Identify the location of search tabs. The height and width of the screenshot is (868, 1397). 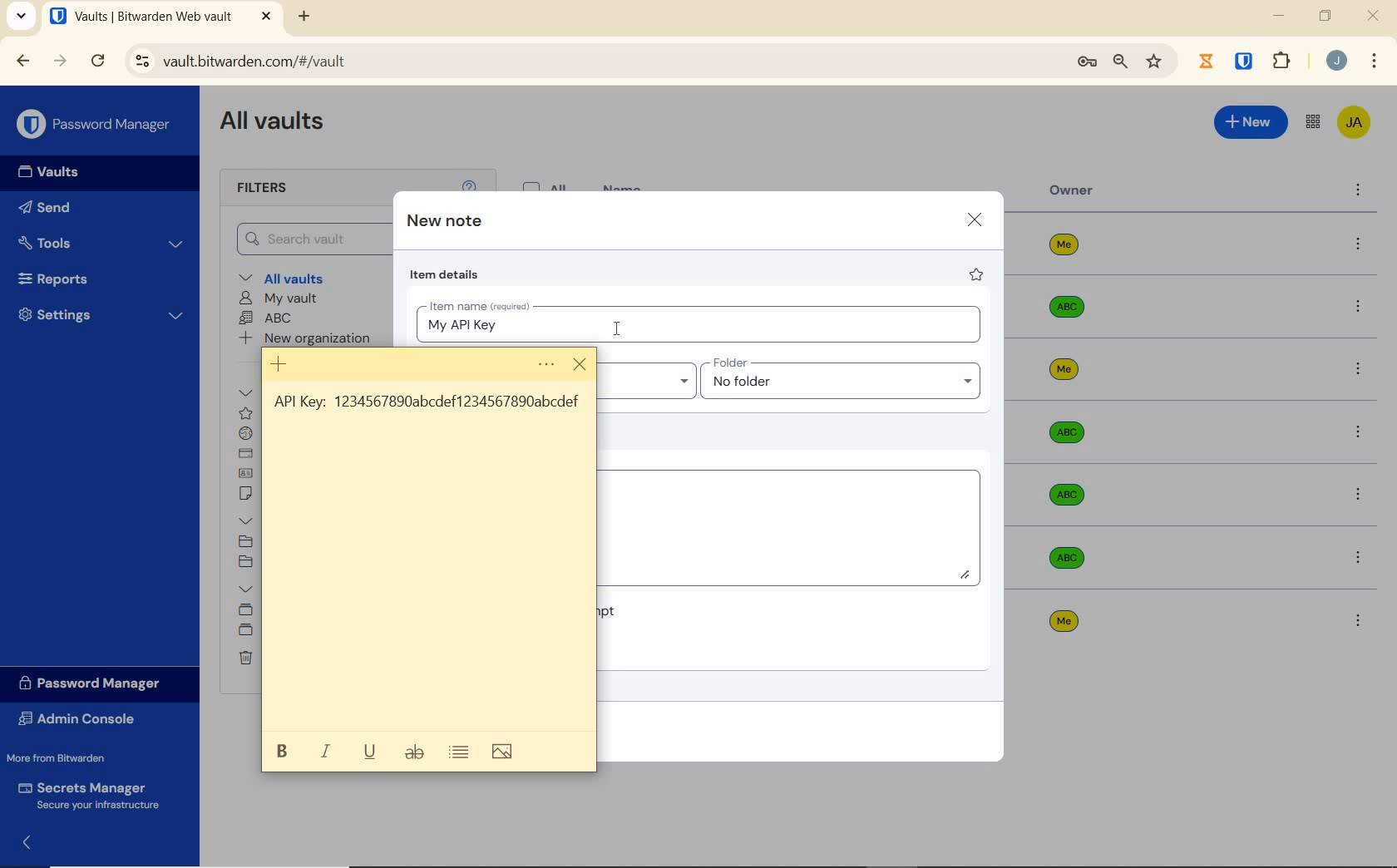
(22, 16).